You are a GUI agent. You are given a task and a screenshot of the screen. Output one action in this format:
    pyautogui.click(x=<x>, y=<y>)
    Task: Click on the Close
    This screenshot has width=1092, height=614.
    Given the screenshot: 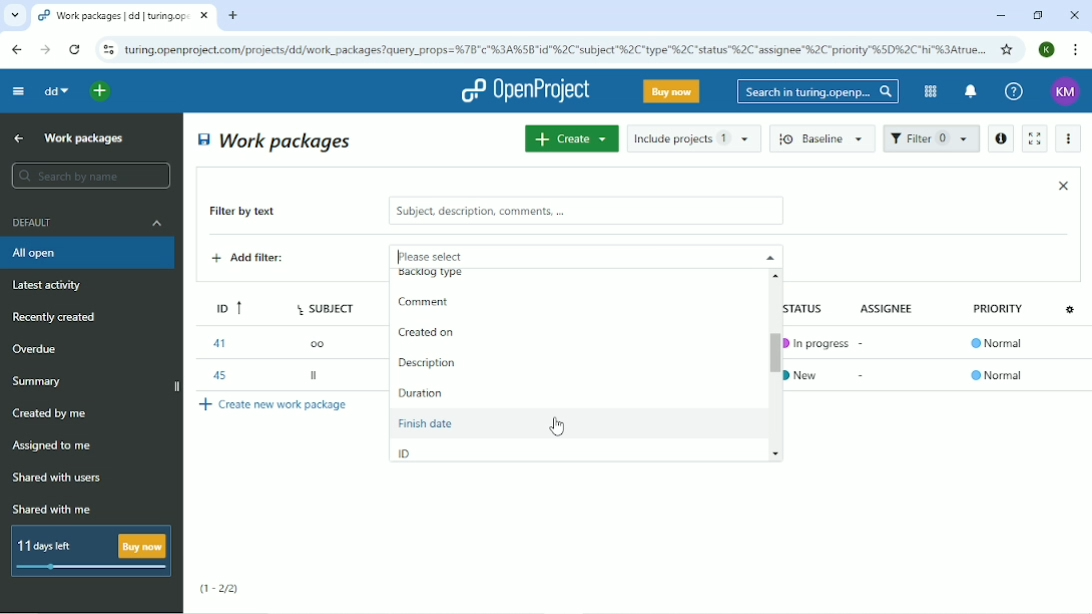 What is the action you would take?
    pyautogui.click(x=1063, y=185)
    